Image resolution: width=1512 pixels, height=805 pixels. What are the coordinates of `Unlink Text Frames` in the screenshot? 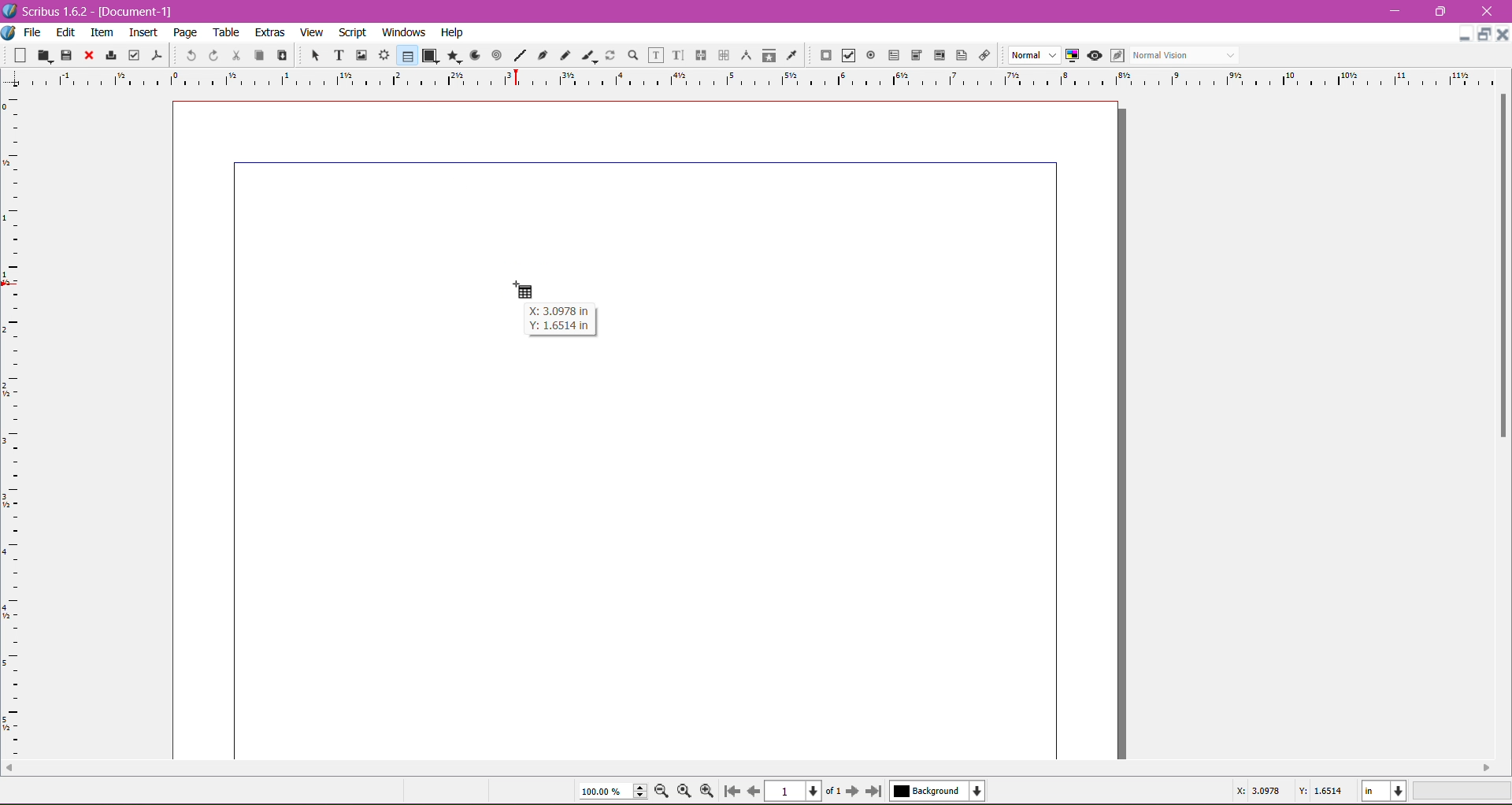 It's located at (722, 57).